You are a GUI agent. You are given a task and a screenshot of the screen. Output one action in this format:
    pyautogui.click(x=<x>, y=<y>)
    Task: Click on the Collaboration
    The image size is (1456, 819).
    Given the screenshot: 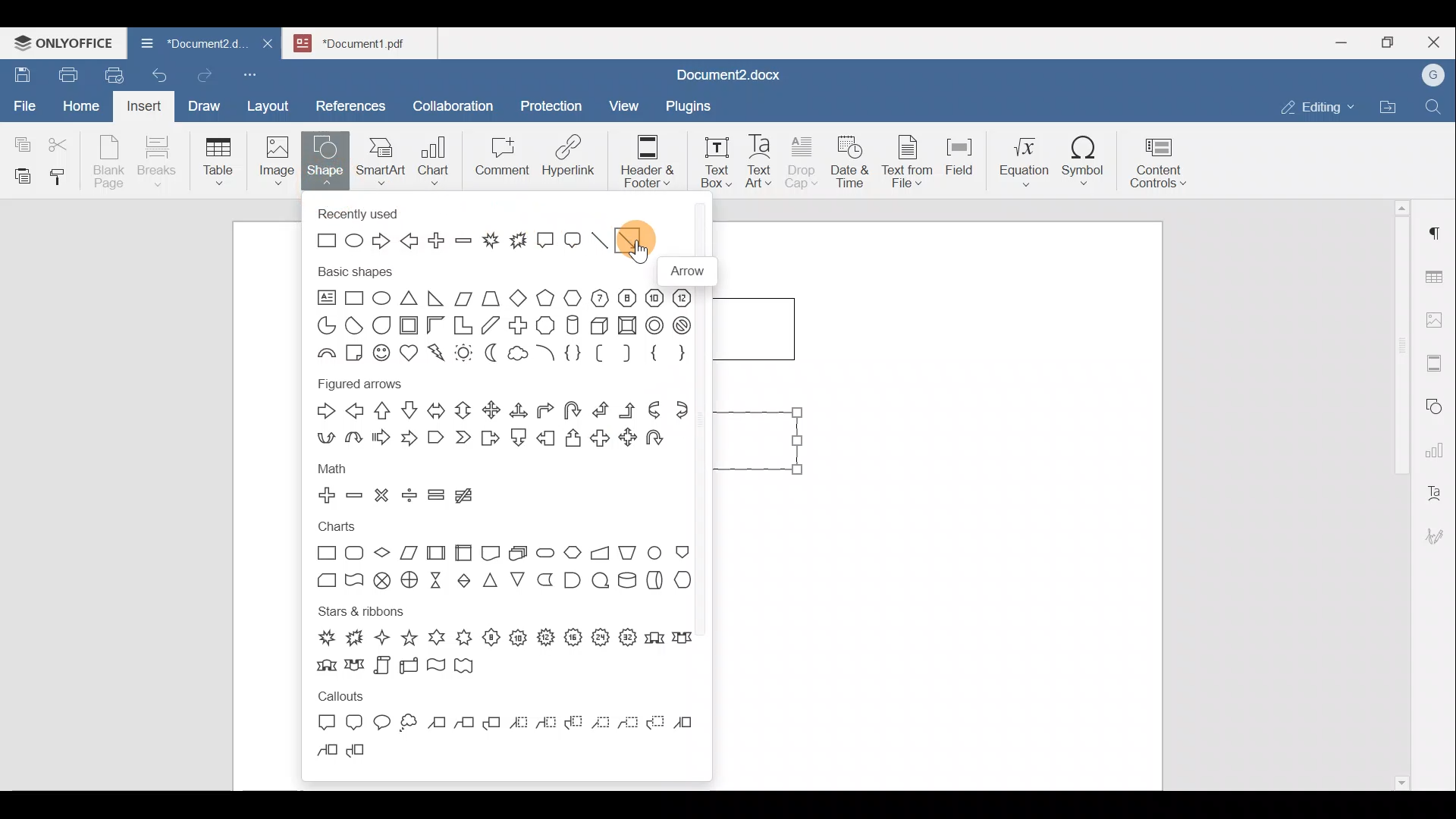 What is the action you would take?
    pyautogui.click(x=450, y=98)
    